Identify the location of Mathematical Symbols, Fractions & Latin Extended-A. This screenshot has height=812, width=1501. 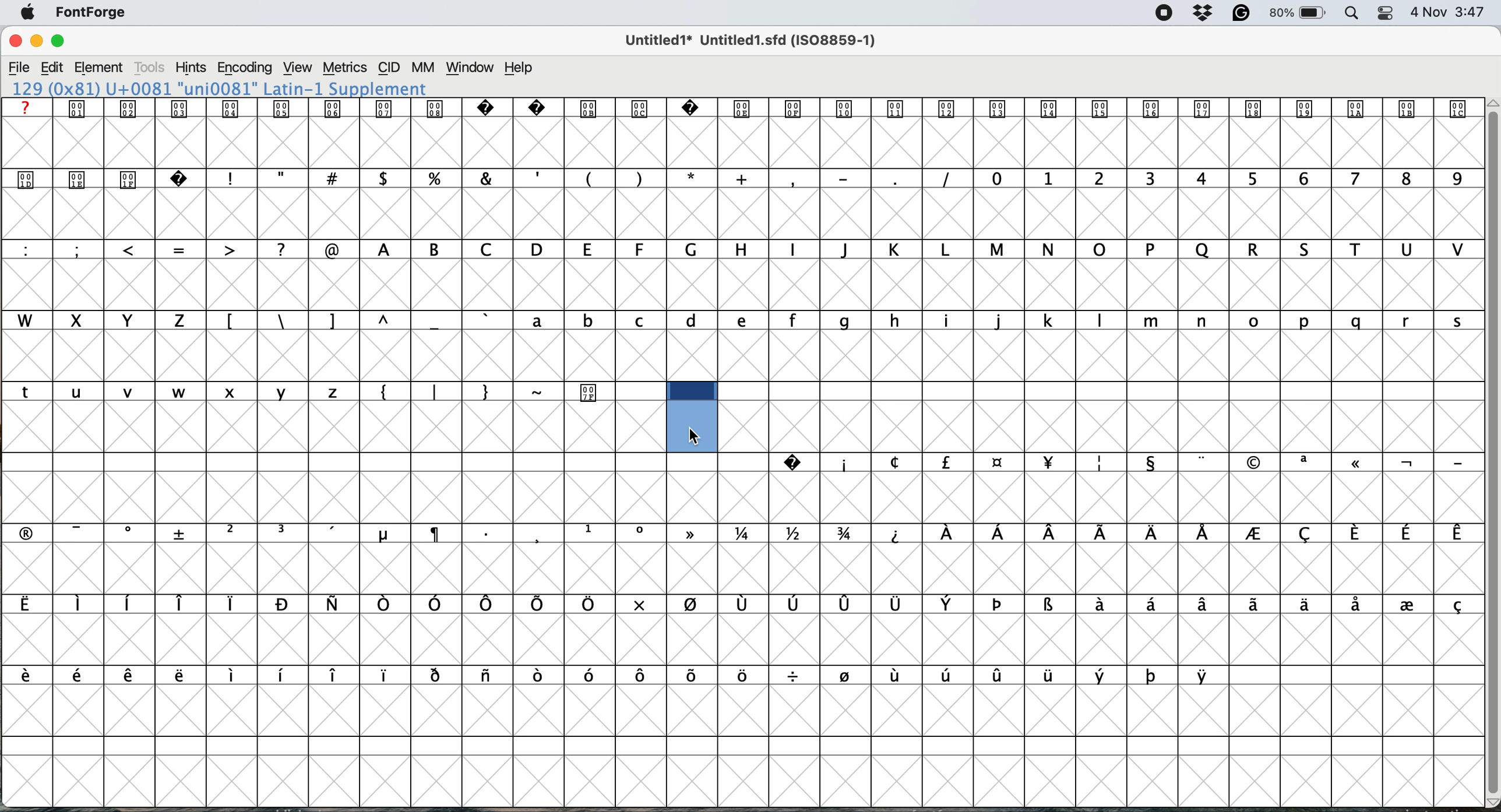
(741, 535).